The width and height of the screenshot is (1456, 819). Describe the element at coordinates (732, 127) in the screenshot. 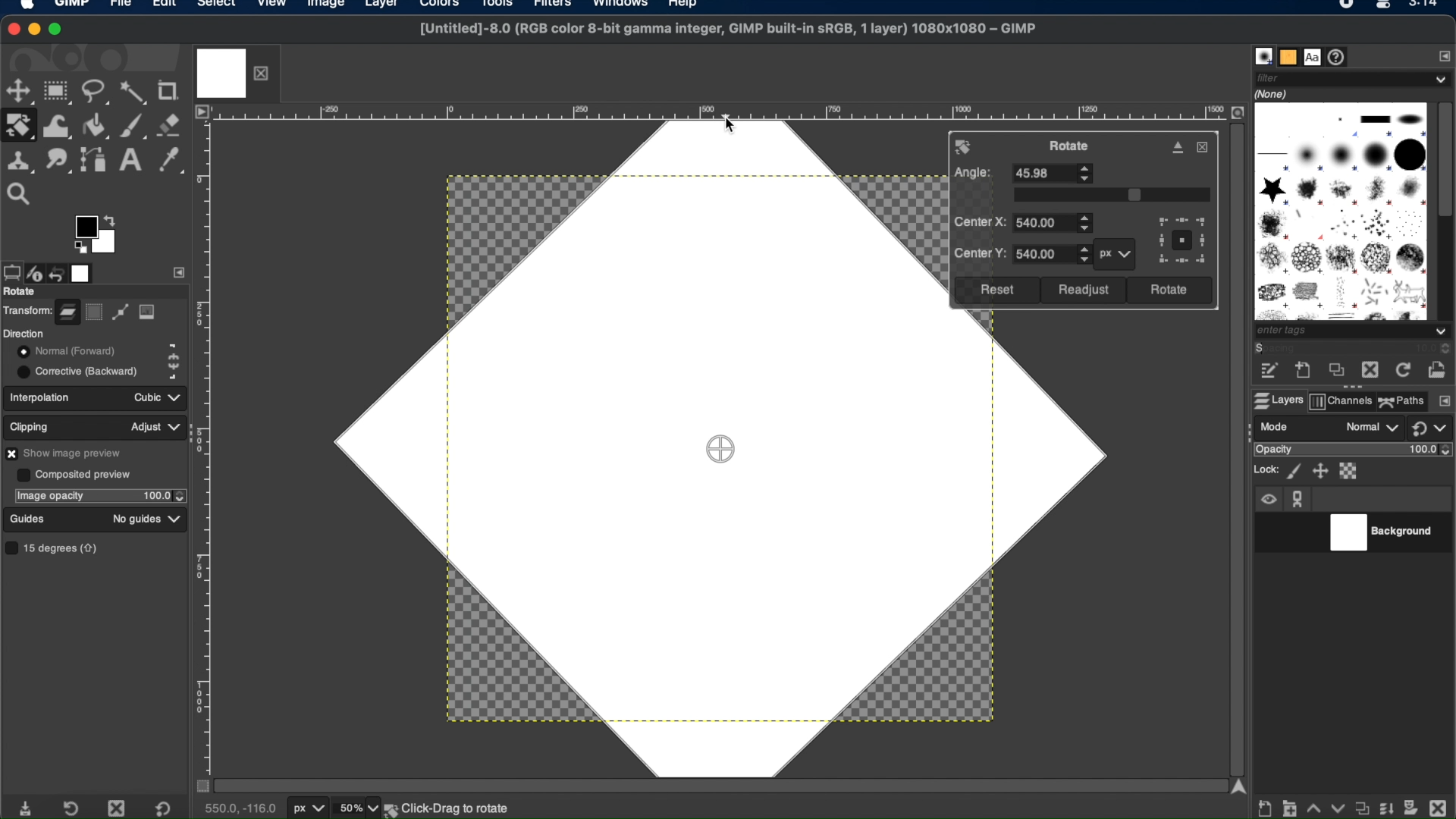

I see `cursor` at that location.